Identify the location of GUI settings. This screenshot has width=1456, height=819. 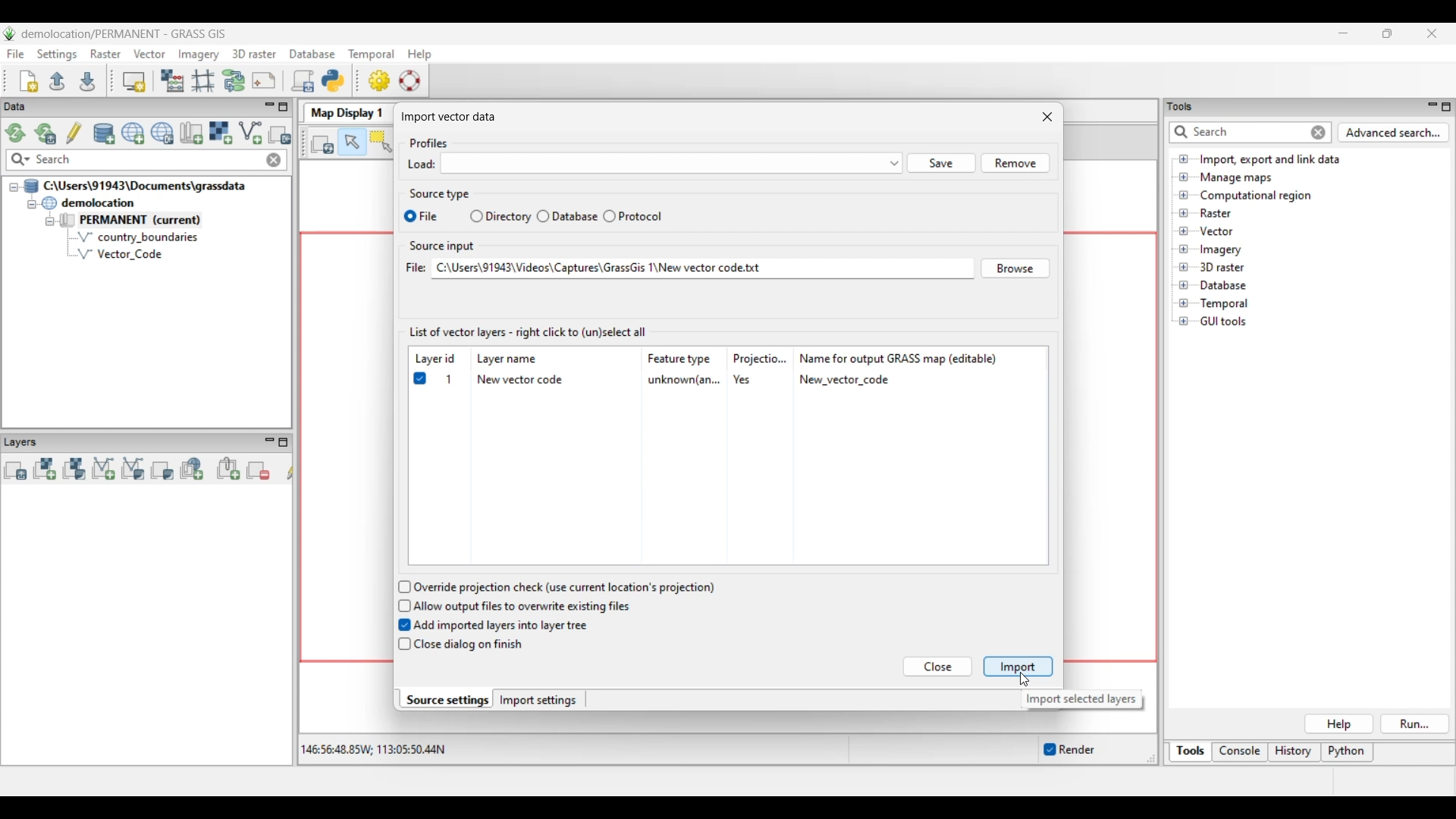
(380, 80).